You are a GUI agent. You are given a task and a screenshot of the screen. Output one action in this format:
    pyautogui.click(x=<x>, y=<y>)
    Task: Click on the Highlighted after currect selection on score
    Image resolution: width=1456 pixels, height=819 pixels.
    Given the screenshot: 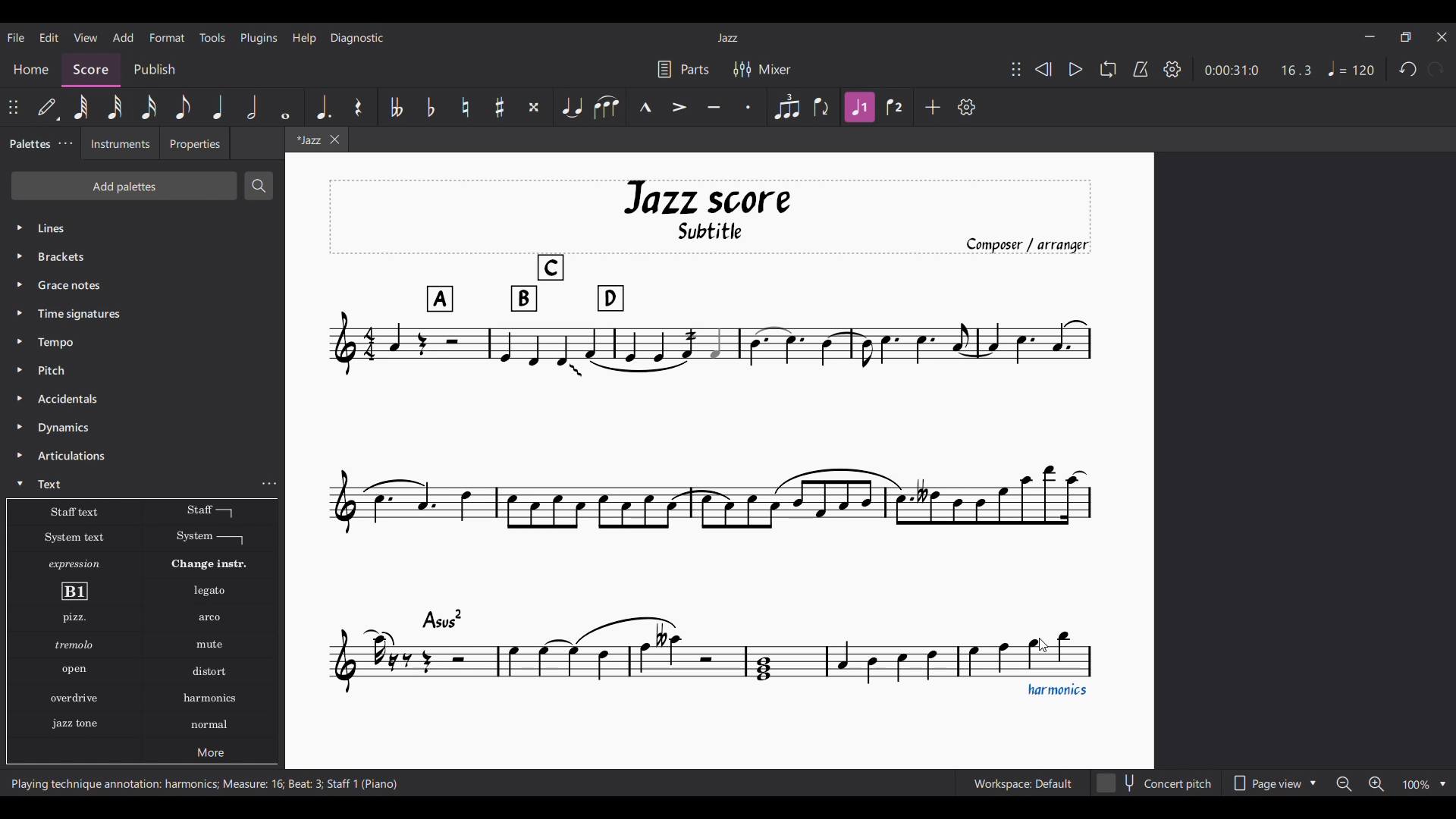 What is the action you would take?
    pyautogui.click(x=860, y=106)
    